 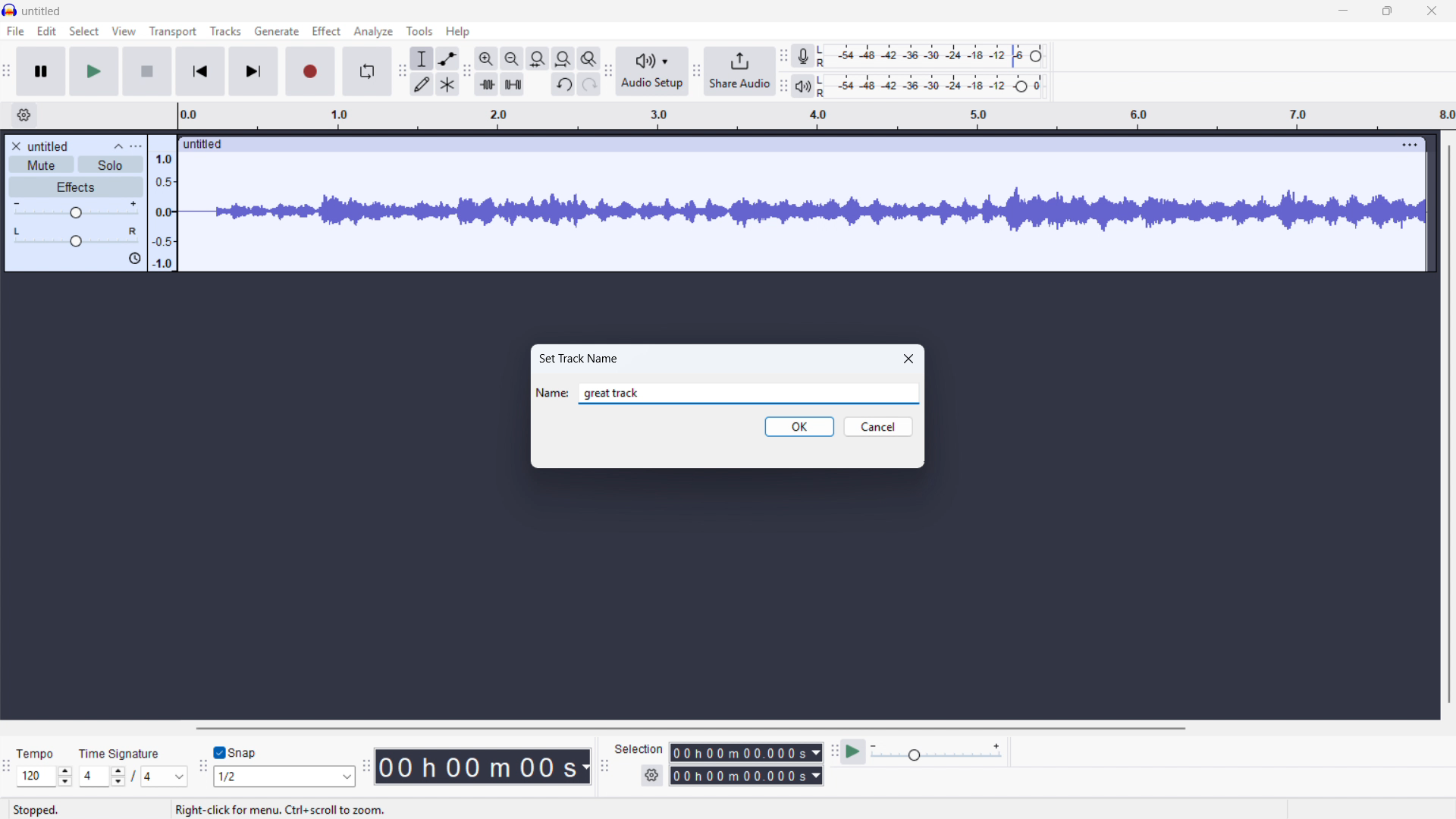 I want to click on Time signature, so click(x=121, y=752).